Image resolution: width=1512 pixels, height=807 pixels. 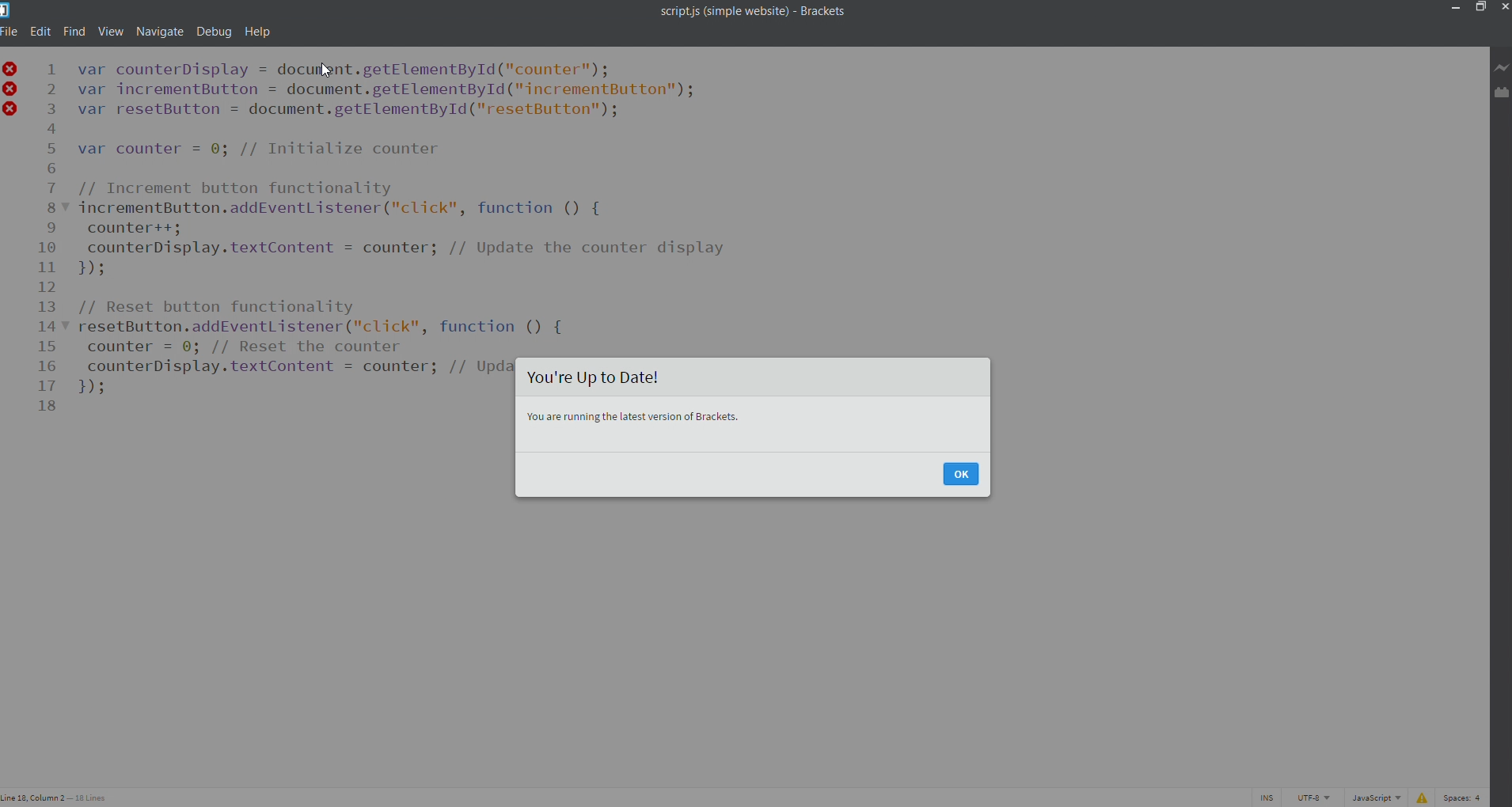 I want to click on encoding, so click(x=1314, y=798).